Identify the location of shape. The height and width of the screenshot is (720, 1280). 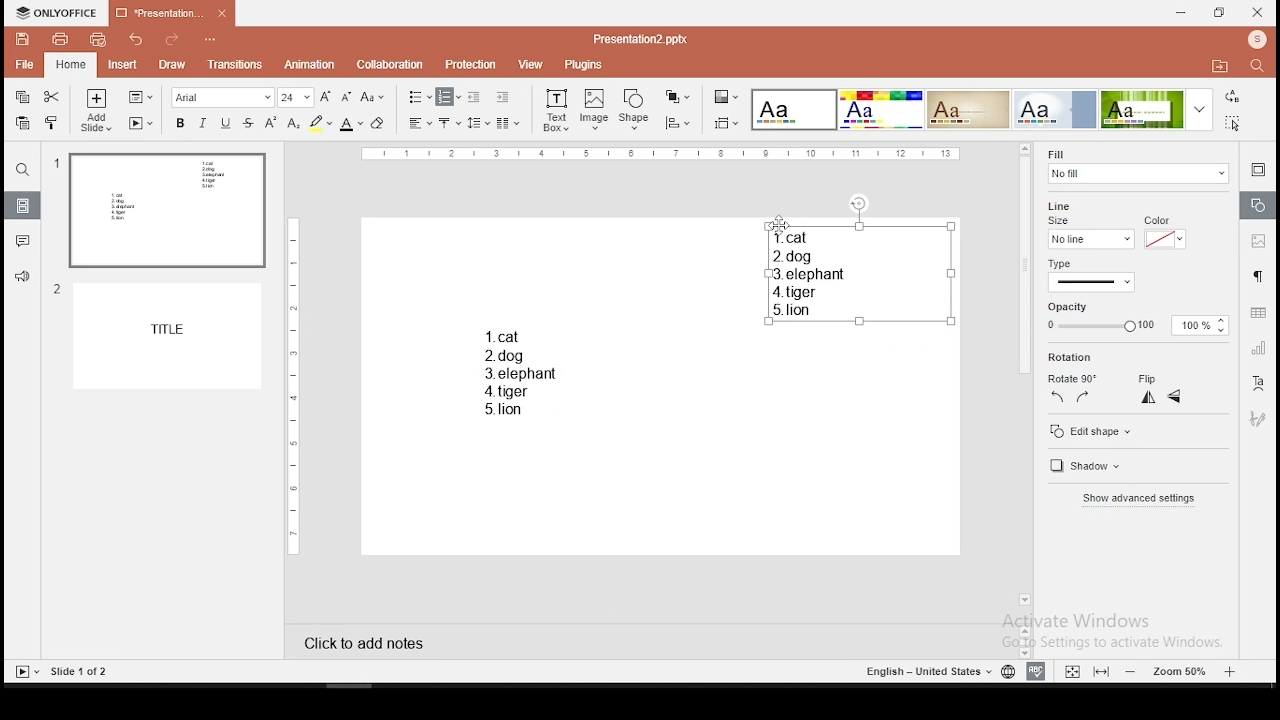
(635, 111).